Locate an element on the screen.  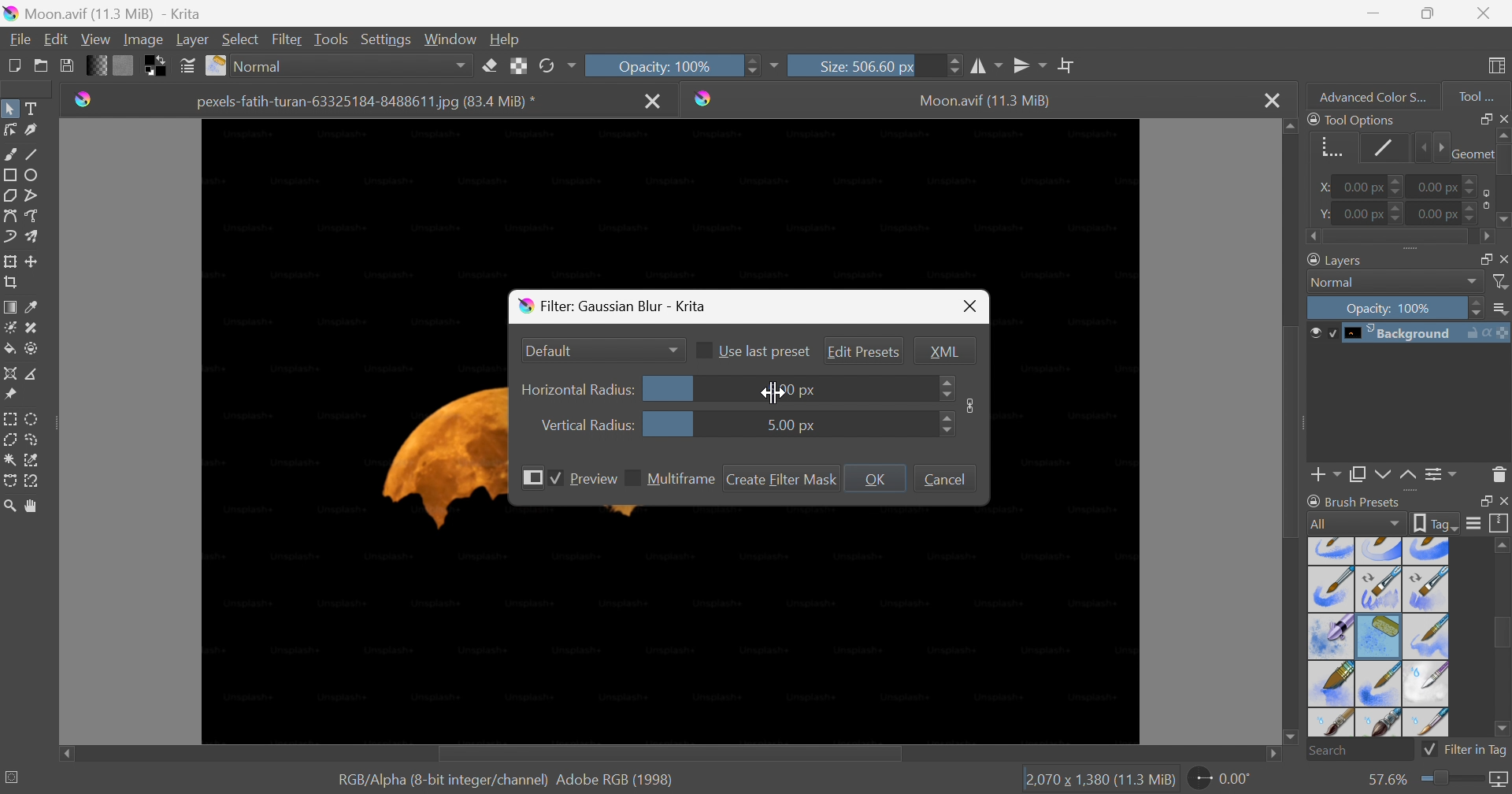
5.00 px is located at coordinates (790, 425).